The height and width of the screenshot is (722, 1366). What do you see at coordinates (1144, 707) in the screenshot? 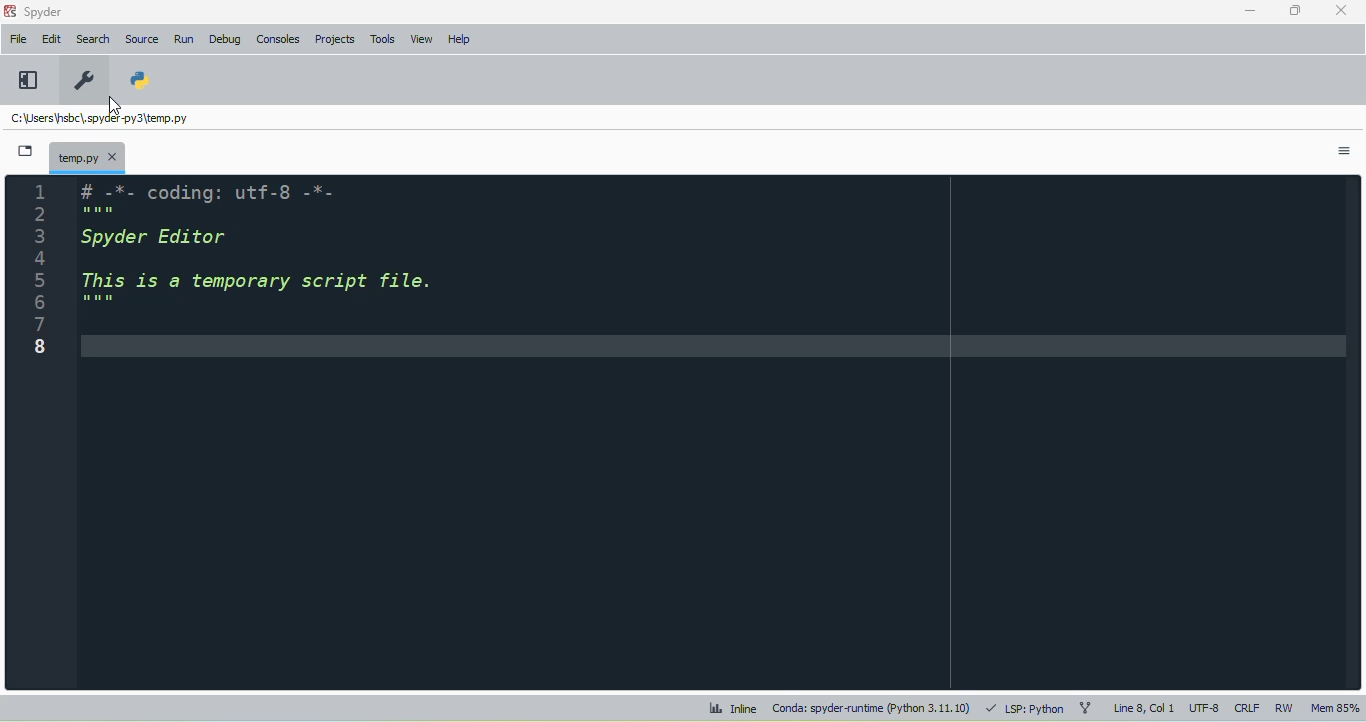
I see `line 8, col 1` at bounding box center [1144, 707].